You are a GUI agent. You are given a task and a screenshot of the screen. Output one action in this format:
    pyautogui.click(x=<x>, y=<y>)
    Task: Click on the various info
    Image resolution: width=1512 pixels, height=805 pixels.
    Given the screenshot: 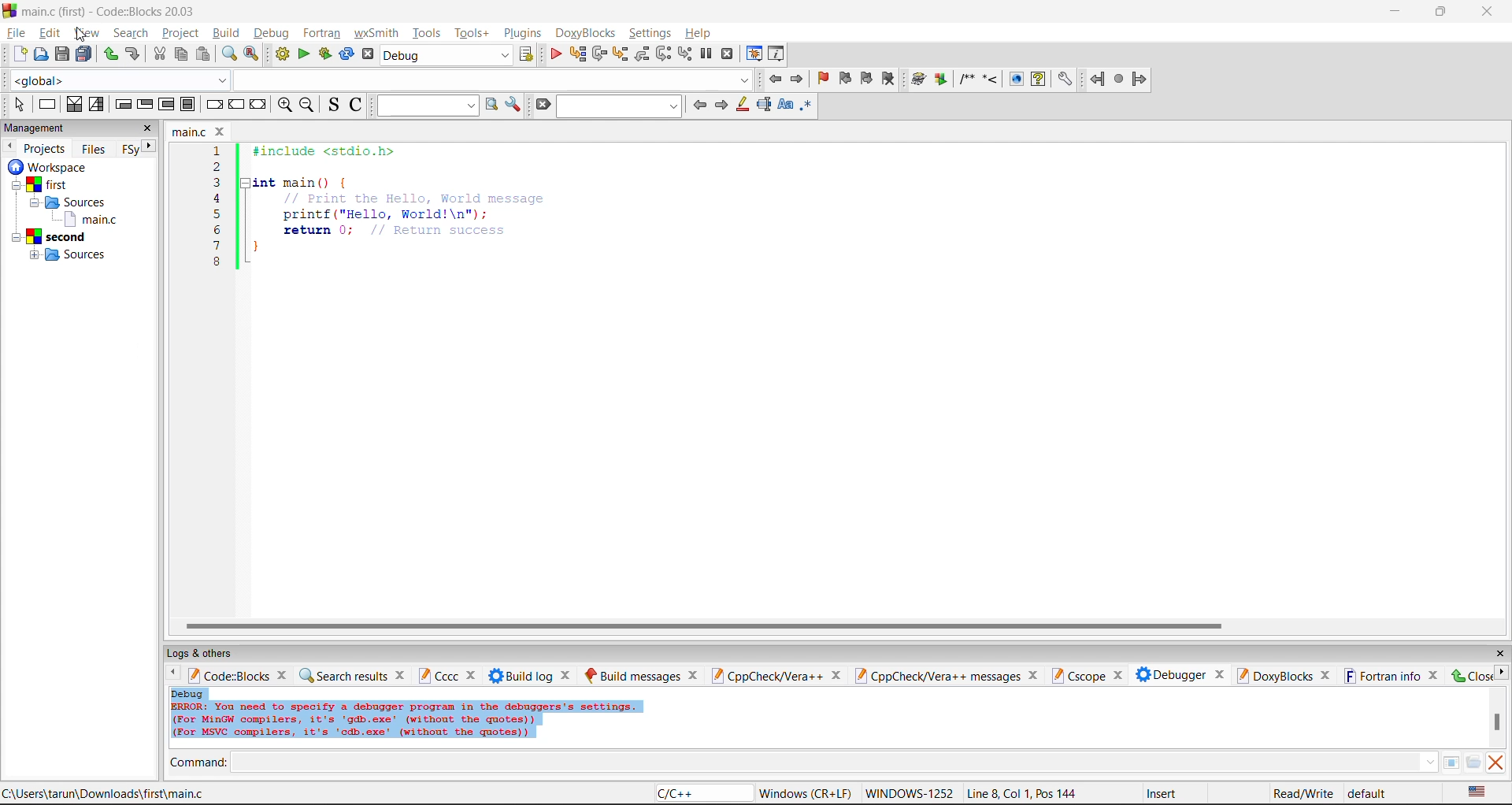 What is the action you would take?
    pyautogui.click(x=781, y=54)
    